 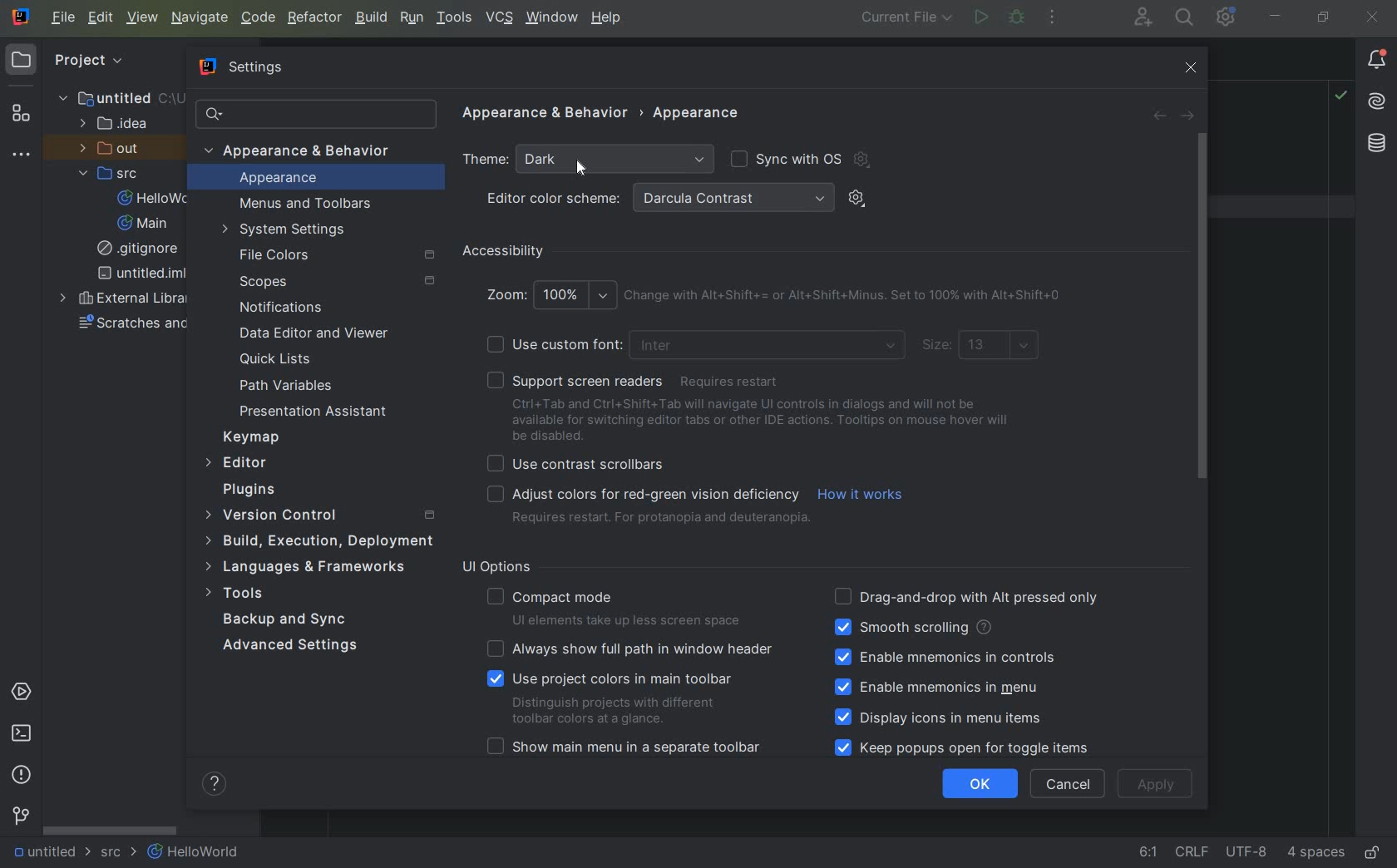 I want to click on LANGUAGES & FRAMEWORKS, so click(x=314, y=568).